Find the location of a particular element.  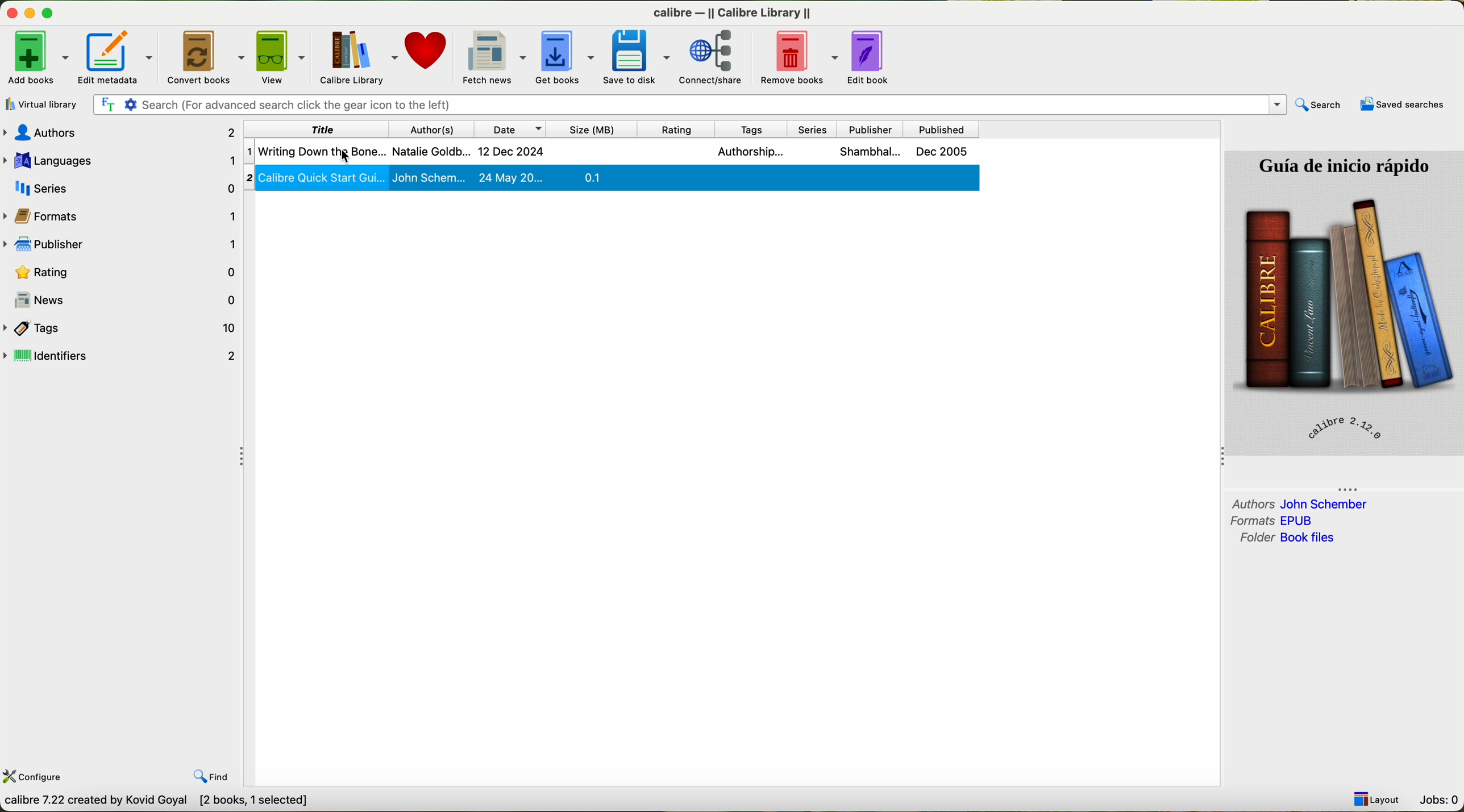

Callibre 7.22 created by Kavid Goyal [0 books] is located at coordinates (135, 802).